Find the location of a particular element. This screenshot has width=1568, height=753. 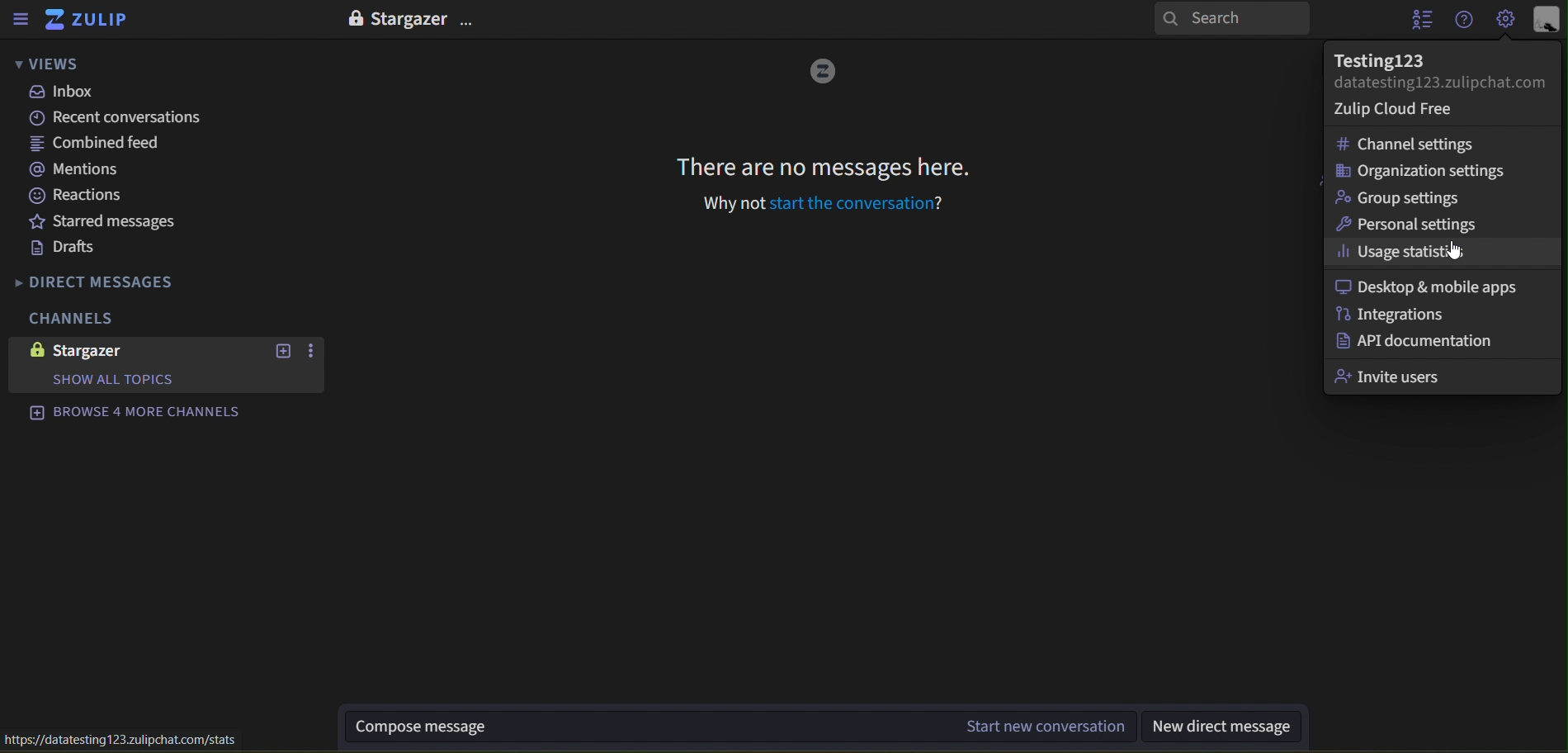

mentions is located at coordinates (73, 171).